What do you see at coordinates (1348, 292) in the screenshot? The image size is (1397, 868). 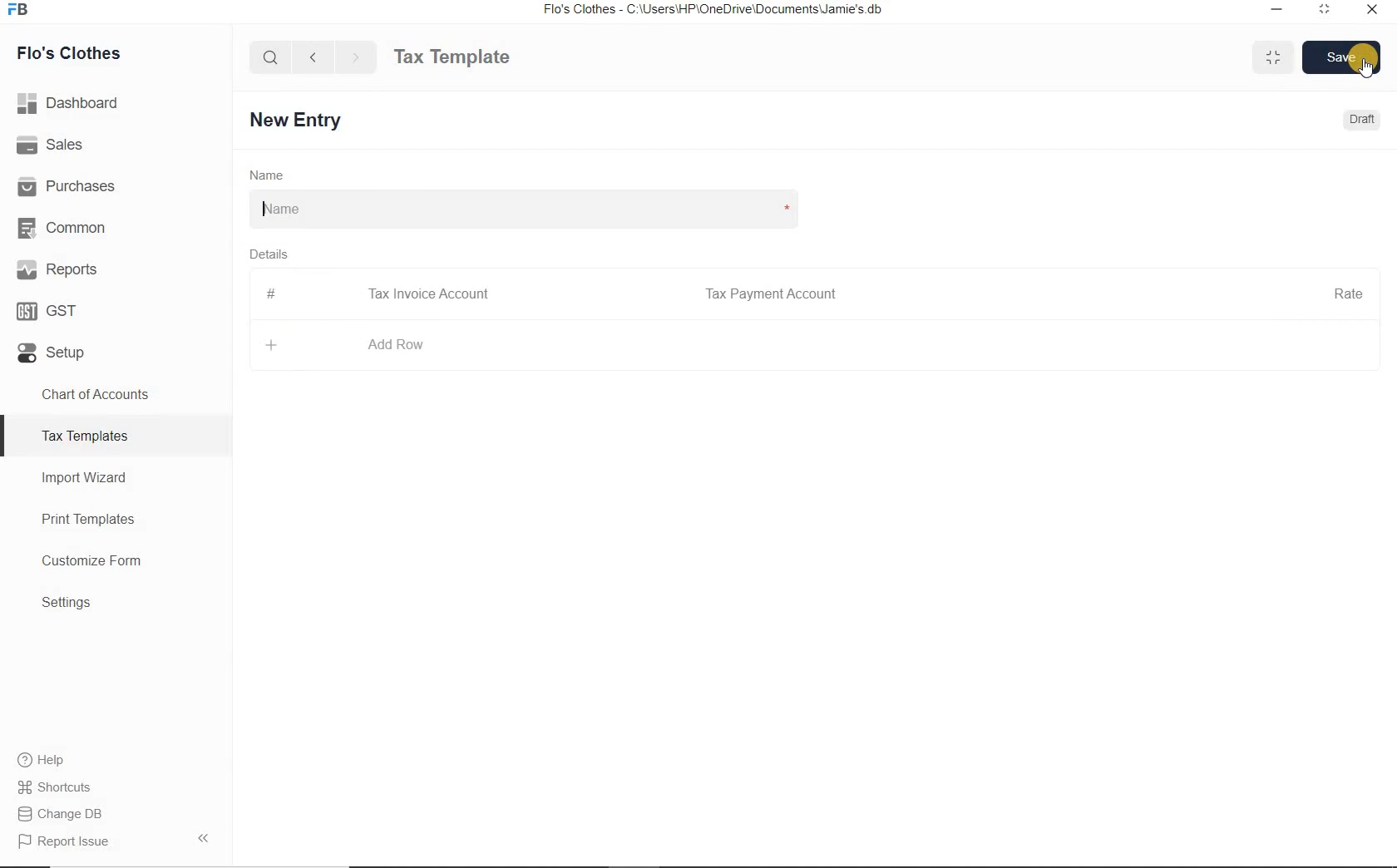 I see `Rate` at bounding box center [1348, 292].